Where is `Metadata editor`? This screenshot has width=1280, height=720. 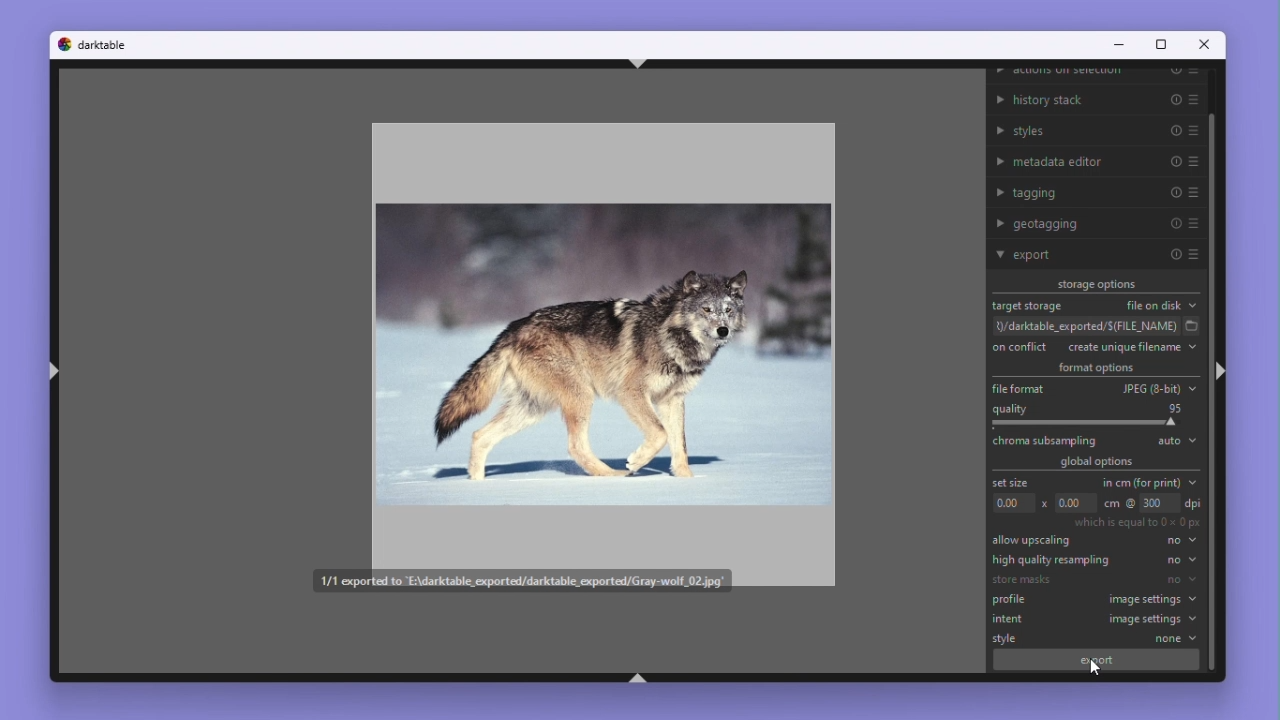
Metadata editor is located at coordinates (1099, 160).